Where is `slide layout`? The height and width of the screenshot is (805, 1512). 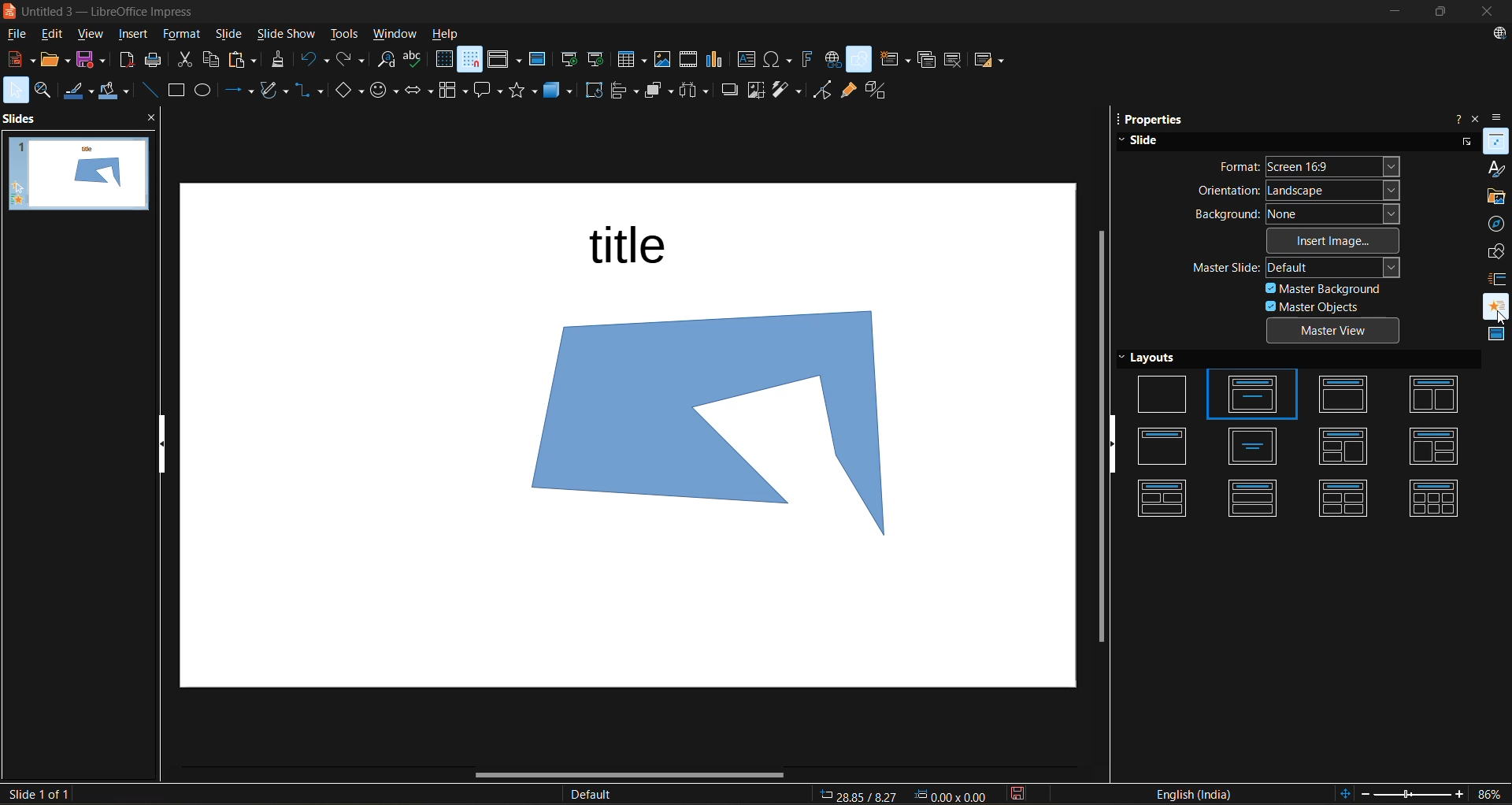 slide layout is located at coordinates (991, 62).